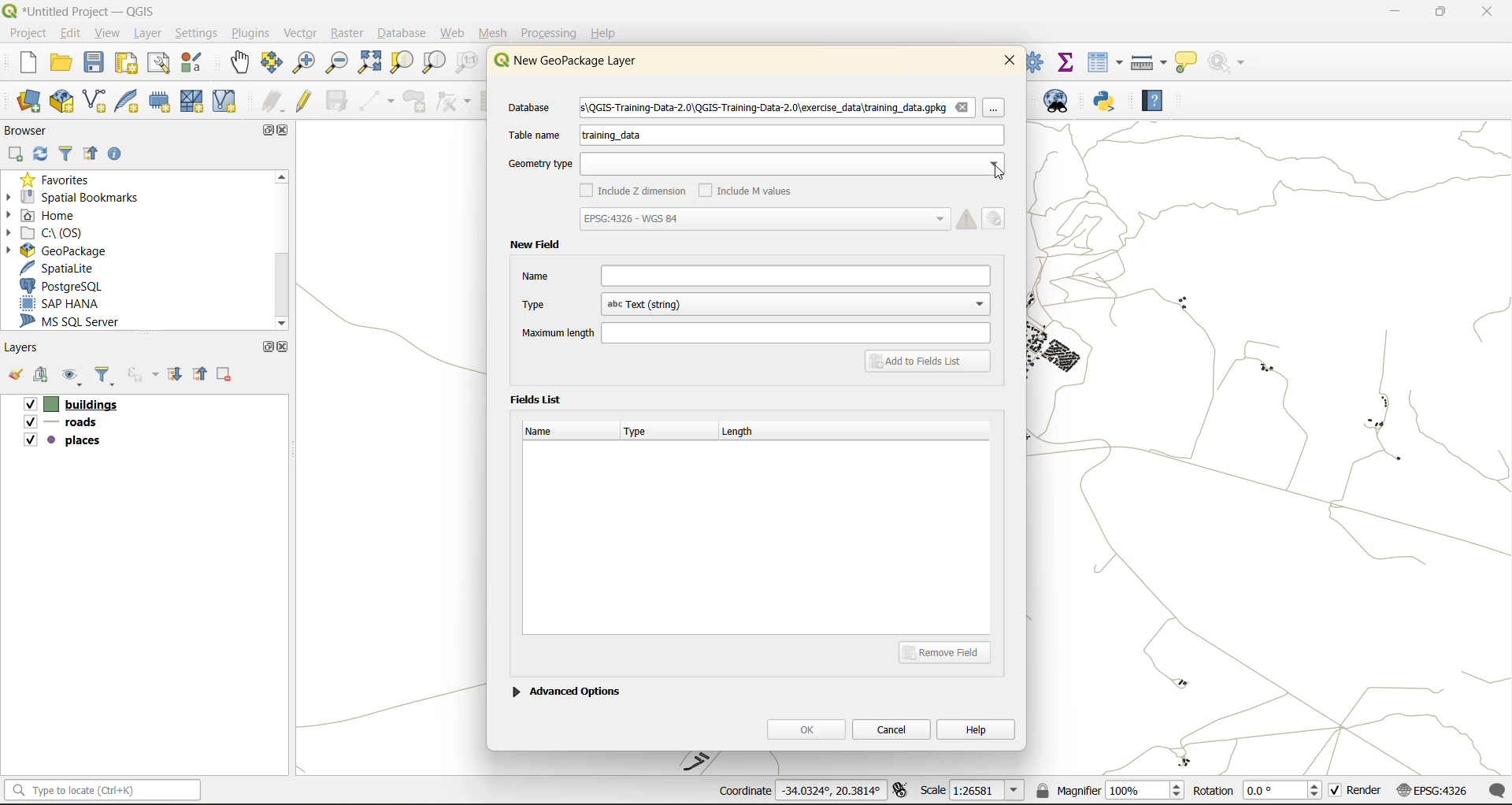  What do you see at coordinates (265, 130) in the screenshot?
I see `maximize` at bounding box center [265, 130].